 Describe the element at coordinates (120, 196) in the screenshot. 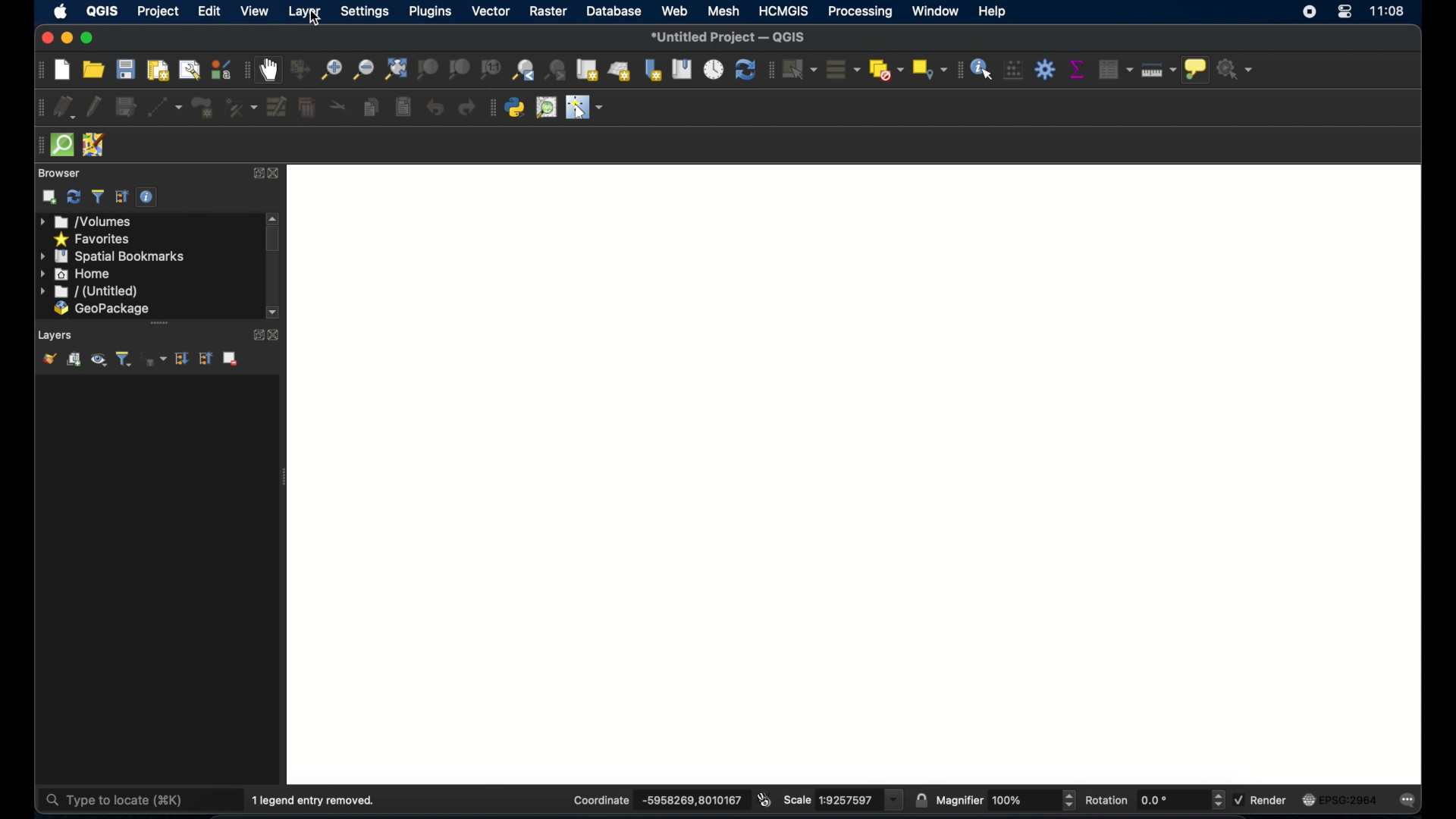

I see `collapse all` at that location.